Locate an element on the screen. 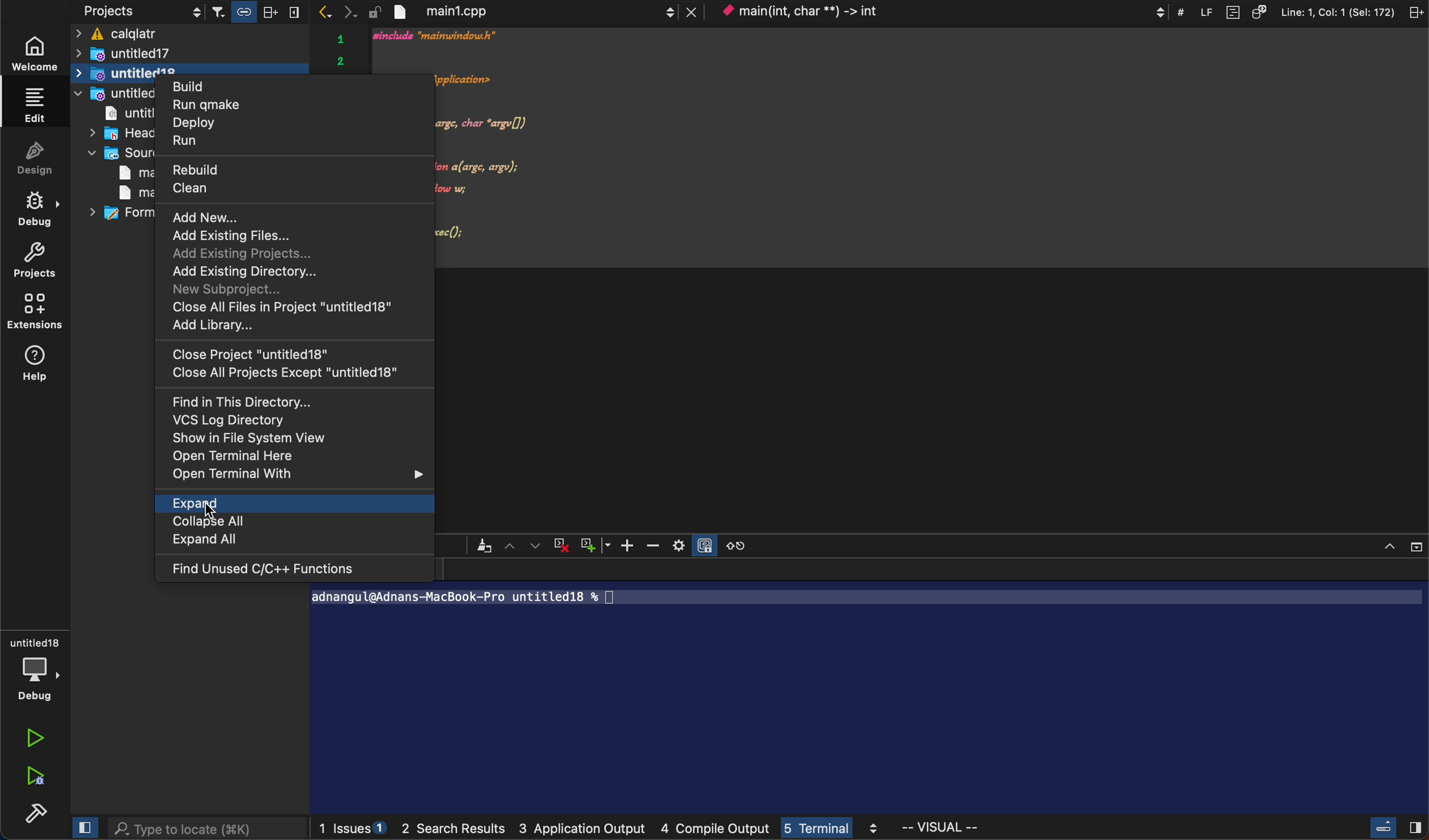  untitled19 is located at coordinates (111, 95).